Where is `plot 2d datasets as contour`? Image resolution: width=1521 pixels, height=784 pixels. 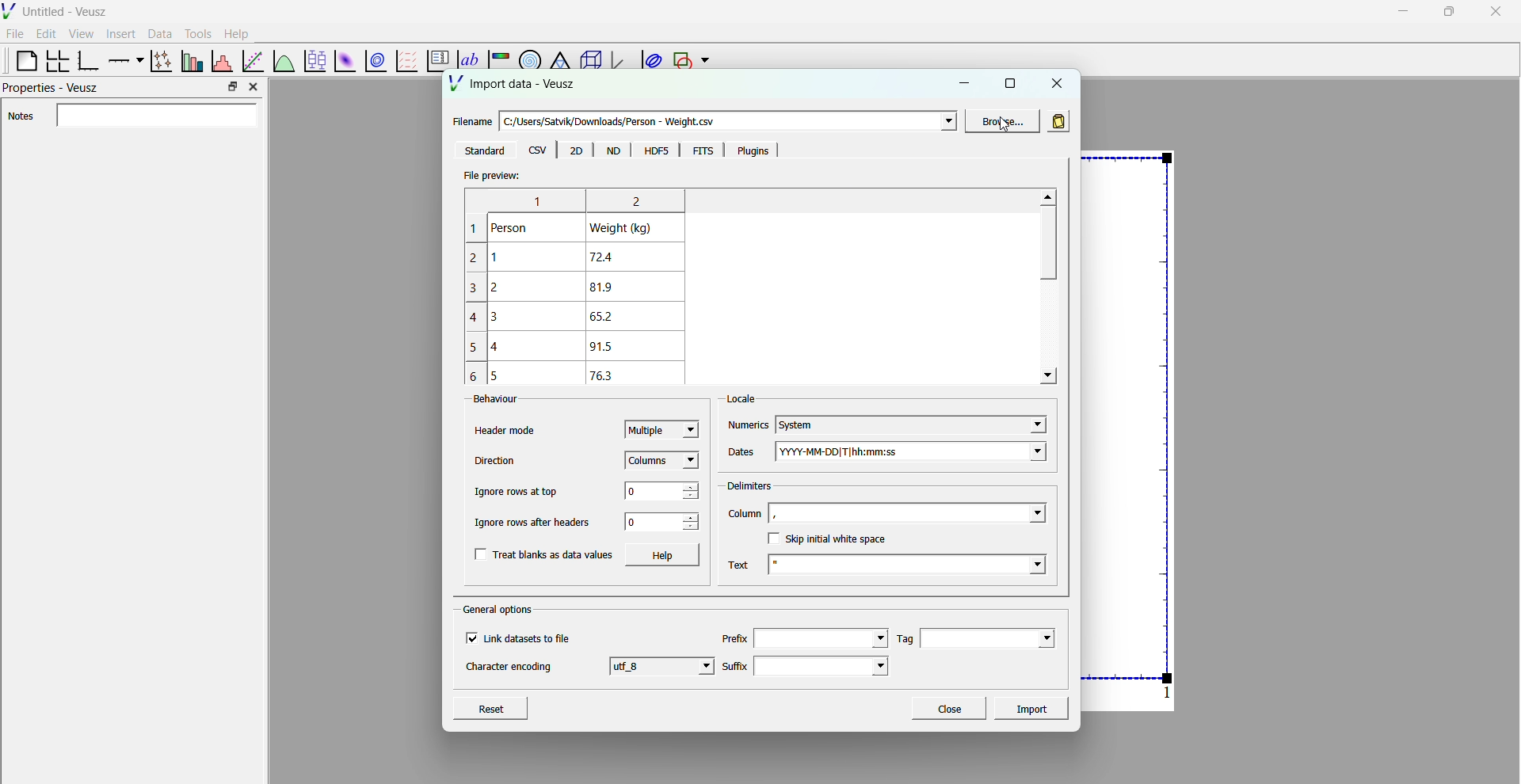 plot 2d datasets as contour is located at coordinates (376, 62).